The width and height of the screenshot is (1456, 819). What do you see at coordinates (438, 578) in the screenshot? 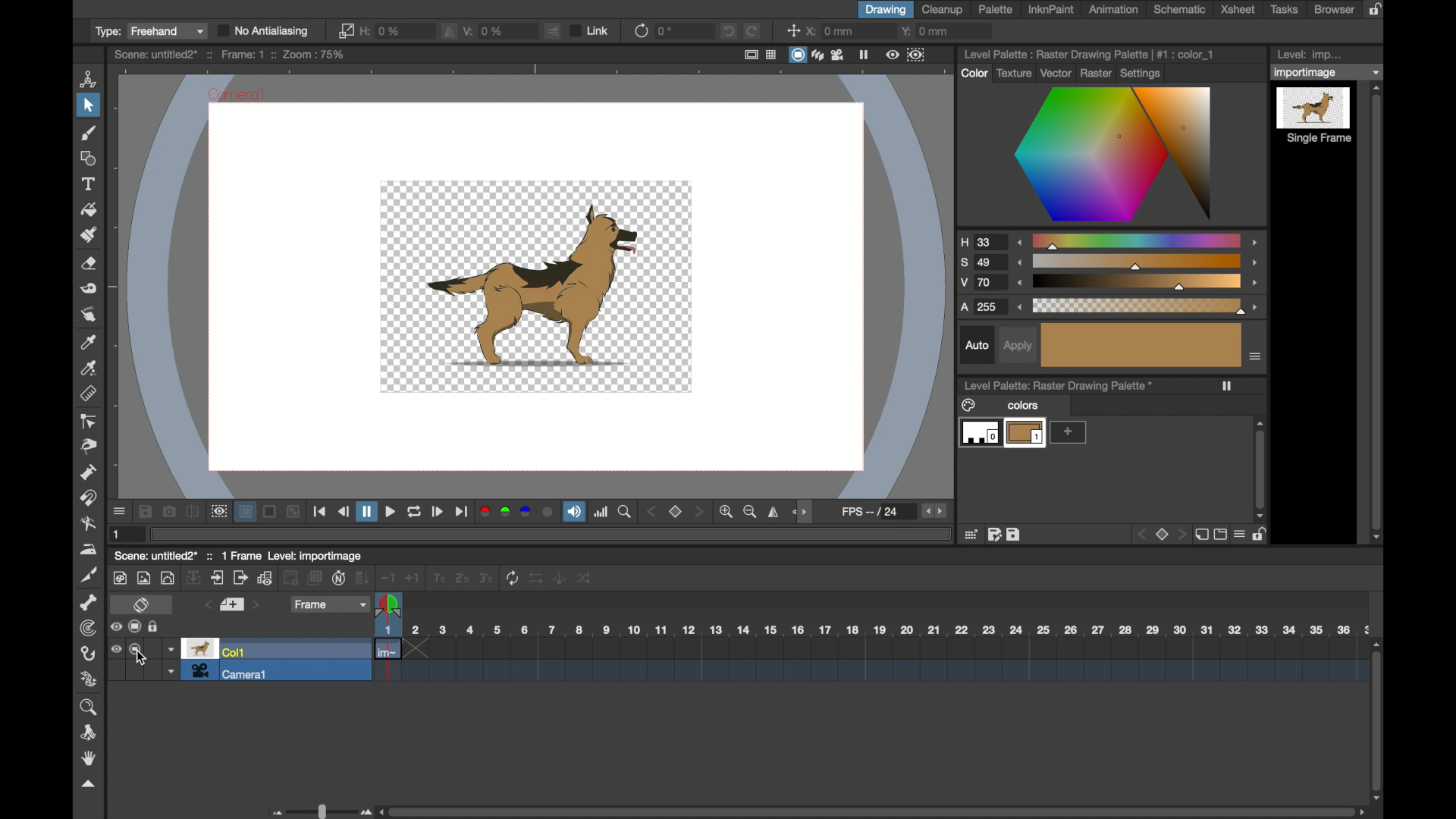
I see `1` at bounding box center [438, 578].